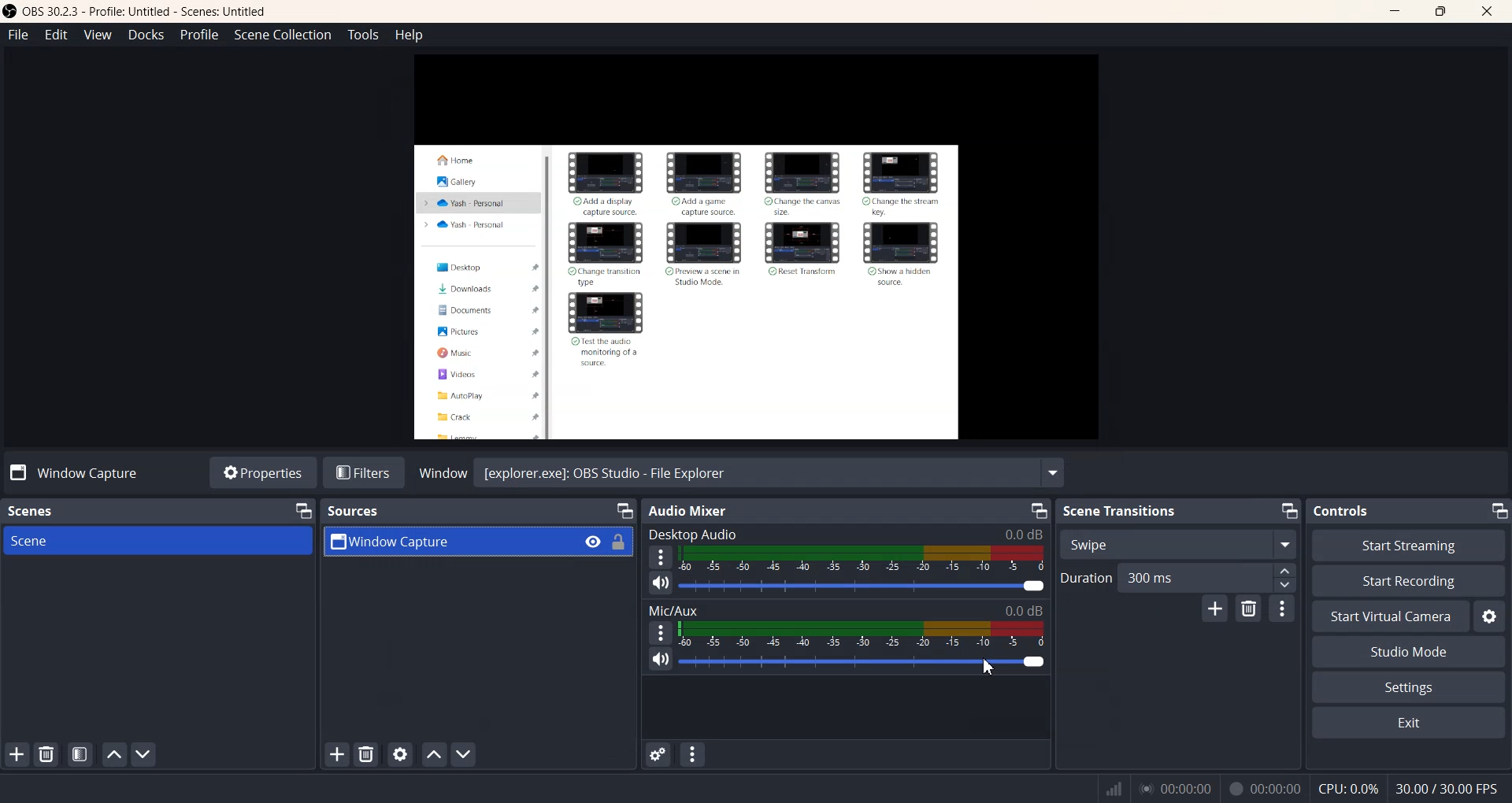 This screenshot has height=803, width=1512. Describe the element at coordinates (31, 511) in the screenshot. I see `Scenes` at that location.